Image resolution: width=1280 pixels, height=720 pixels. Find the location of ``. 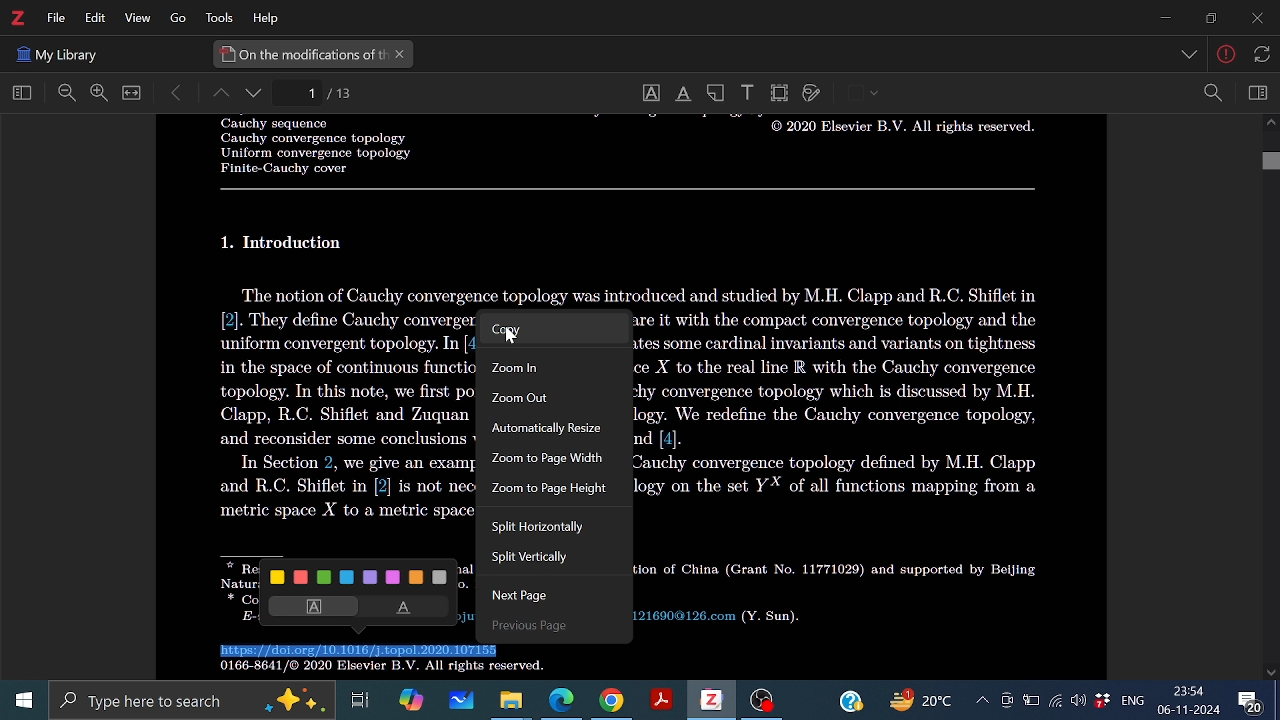

 is located at coordinates (522, 627).